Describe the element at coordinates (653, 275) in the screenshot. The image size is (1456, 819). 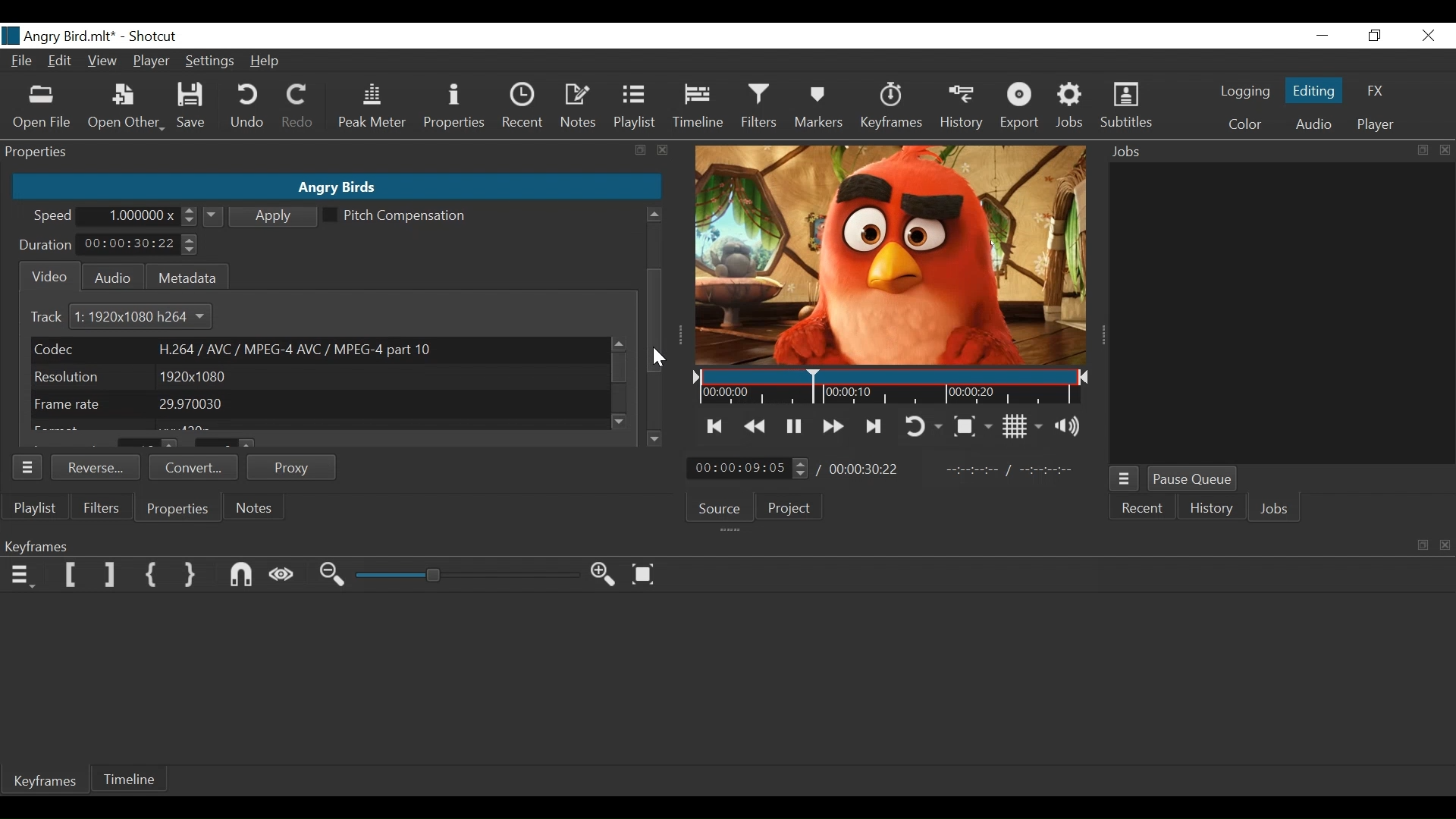
I see `Vertical Scroll bar` at that location.